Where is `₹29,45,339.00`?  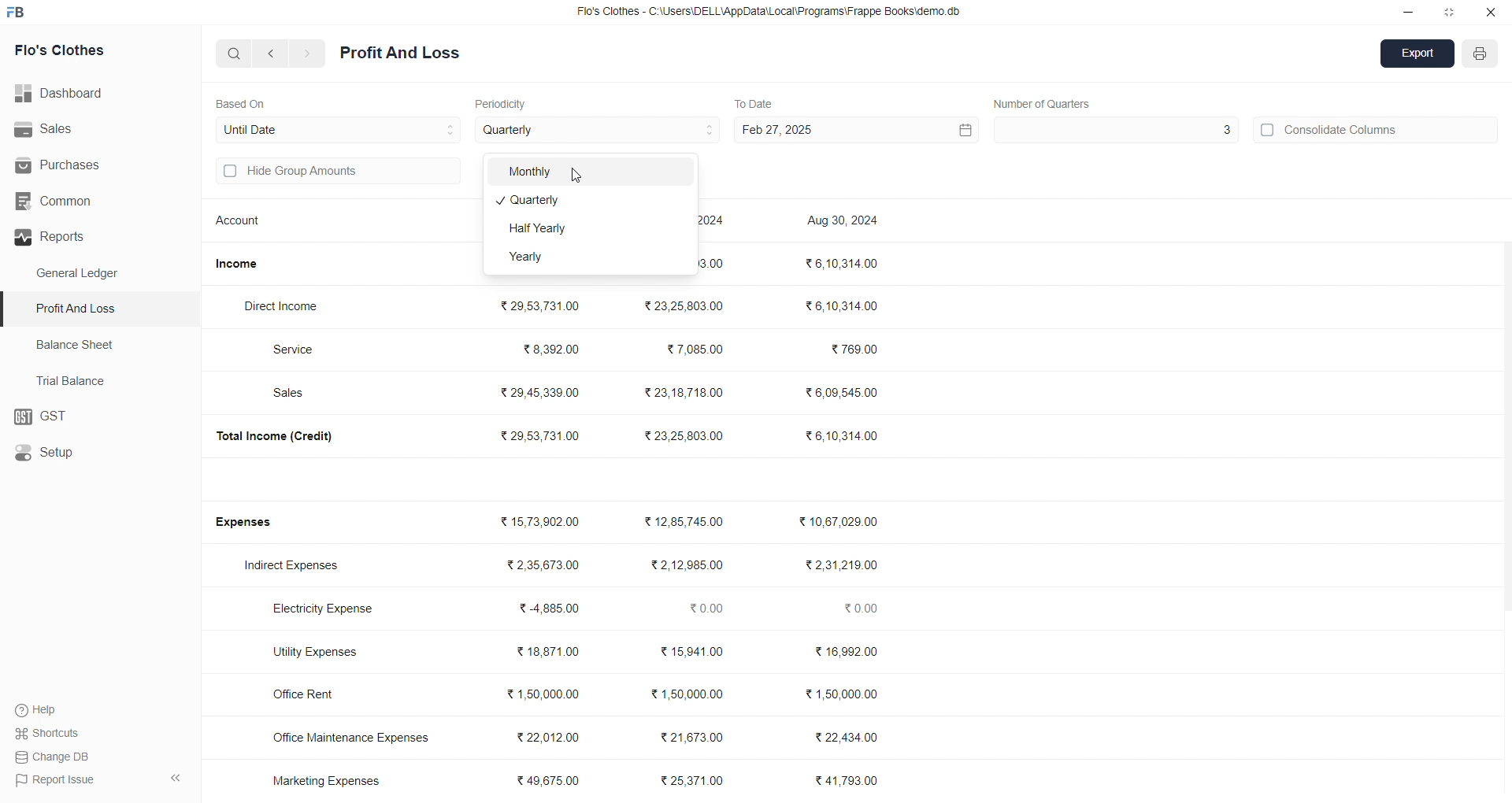 ₹29,45,339.00 is located at coordinates (542, 394).